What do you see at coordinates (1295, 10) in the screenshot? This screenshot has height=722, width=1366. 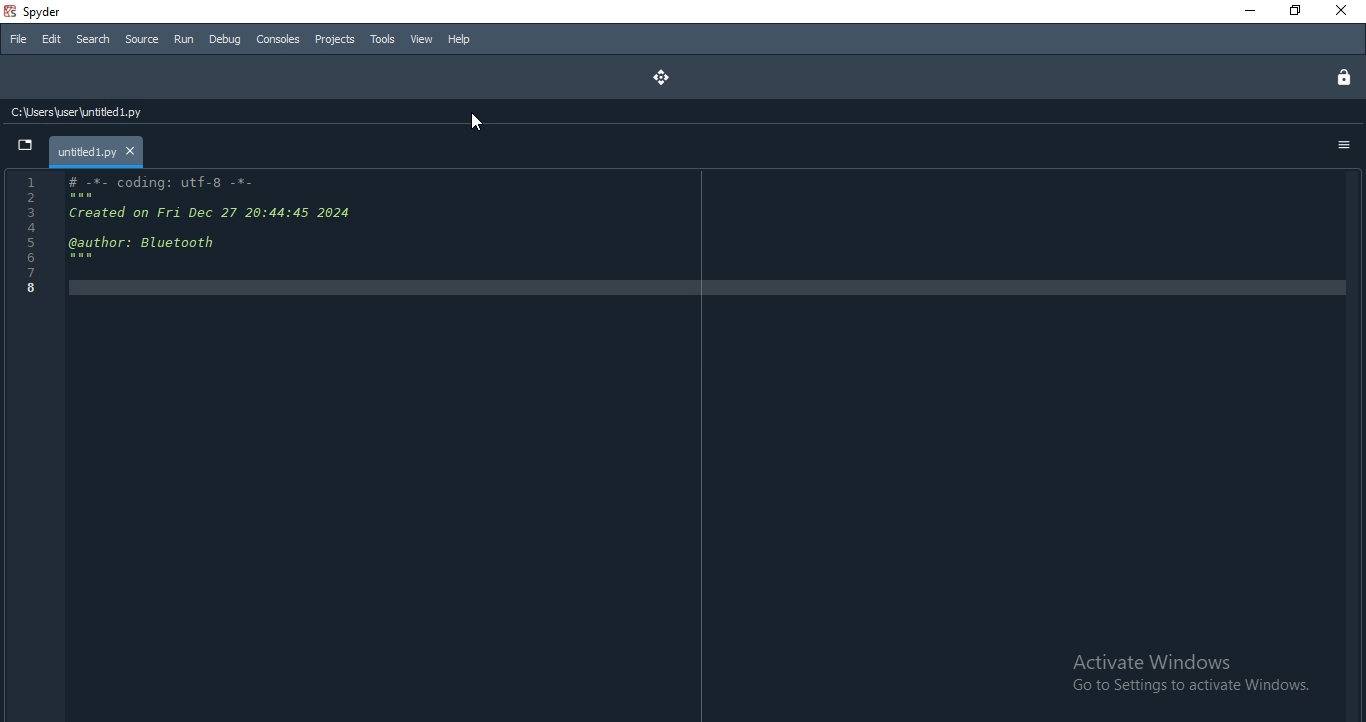 I see `Restore` at bounding box center [1295, 10].